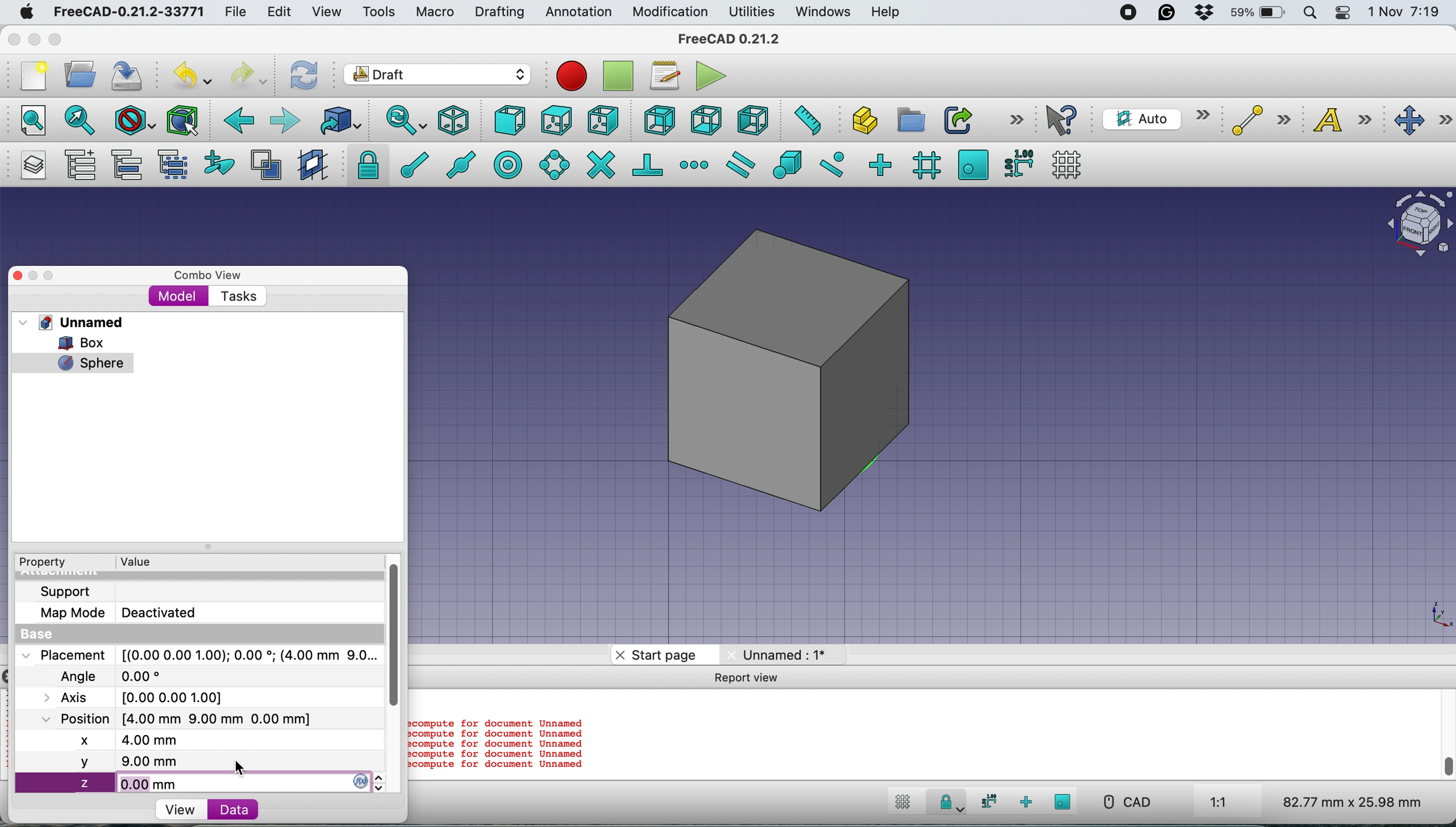 The width and height of the screenshot is (1456, 827). I want to click on grammarly, so click(1167, 12).